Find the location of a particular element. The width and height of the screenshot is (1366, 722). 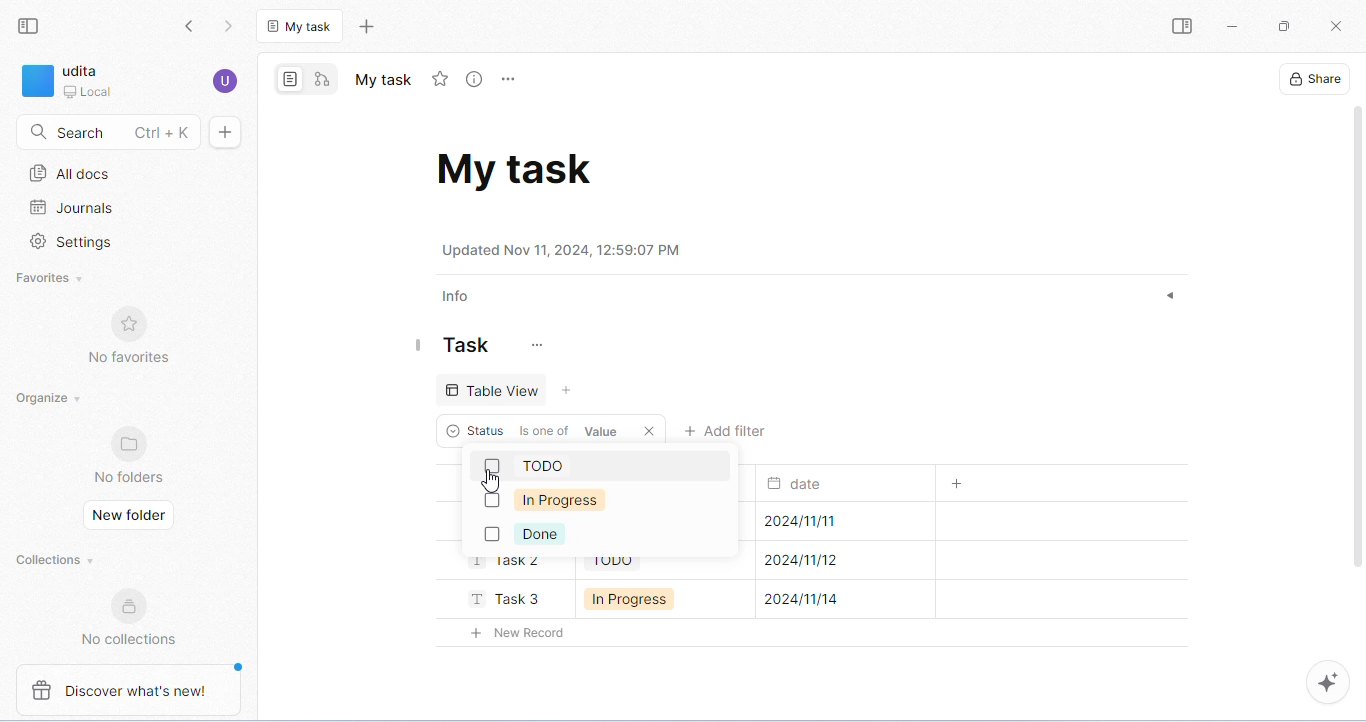

settings is located at coordinates (72, 244).